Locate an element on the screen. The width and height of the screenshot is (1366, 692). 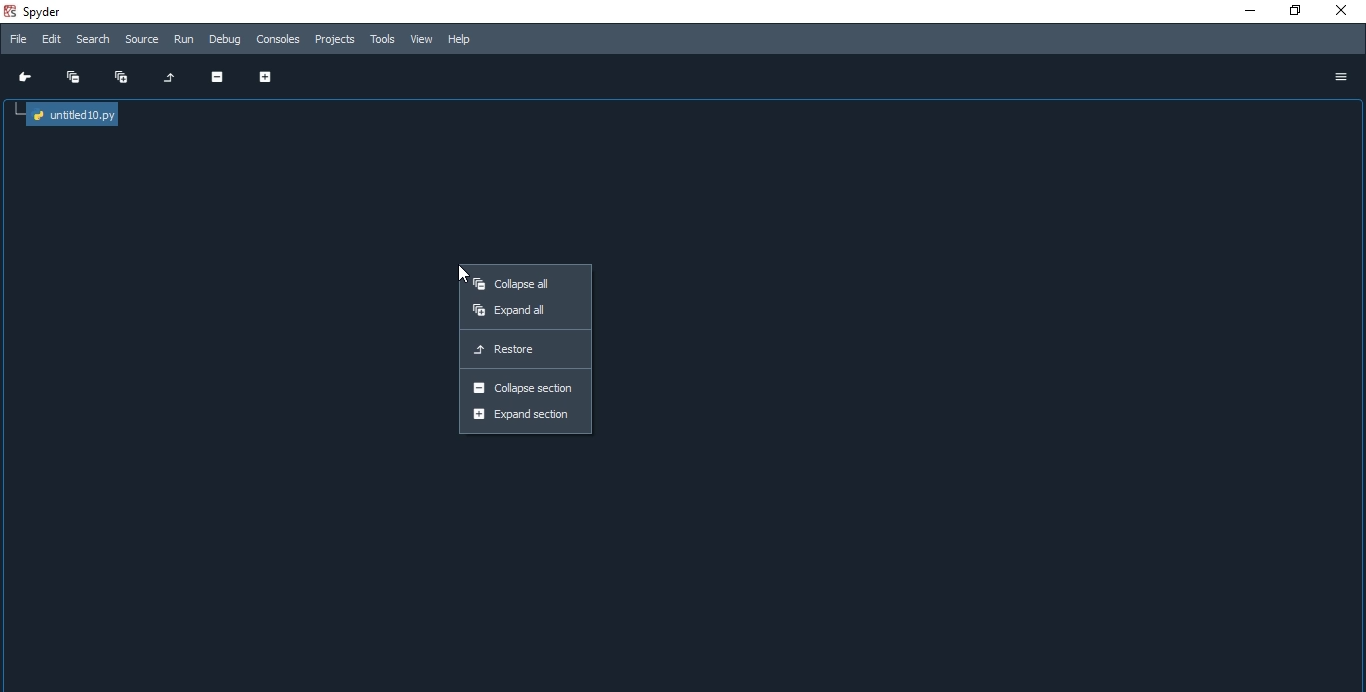
Help is located at coordinates (467, 42).